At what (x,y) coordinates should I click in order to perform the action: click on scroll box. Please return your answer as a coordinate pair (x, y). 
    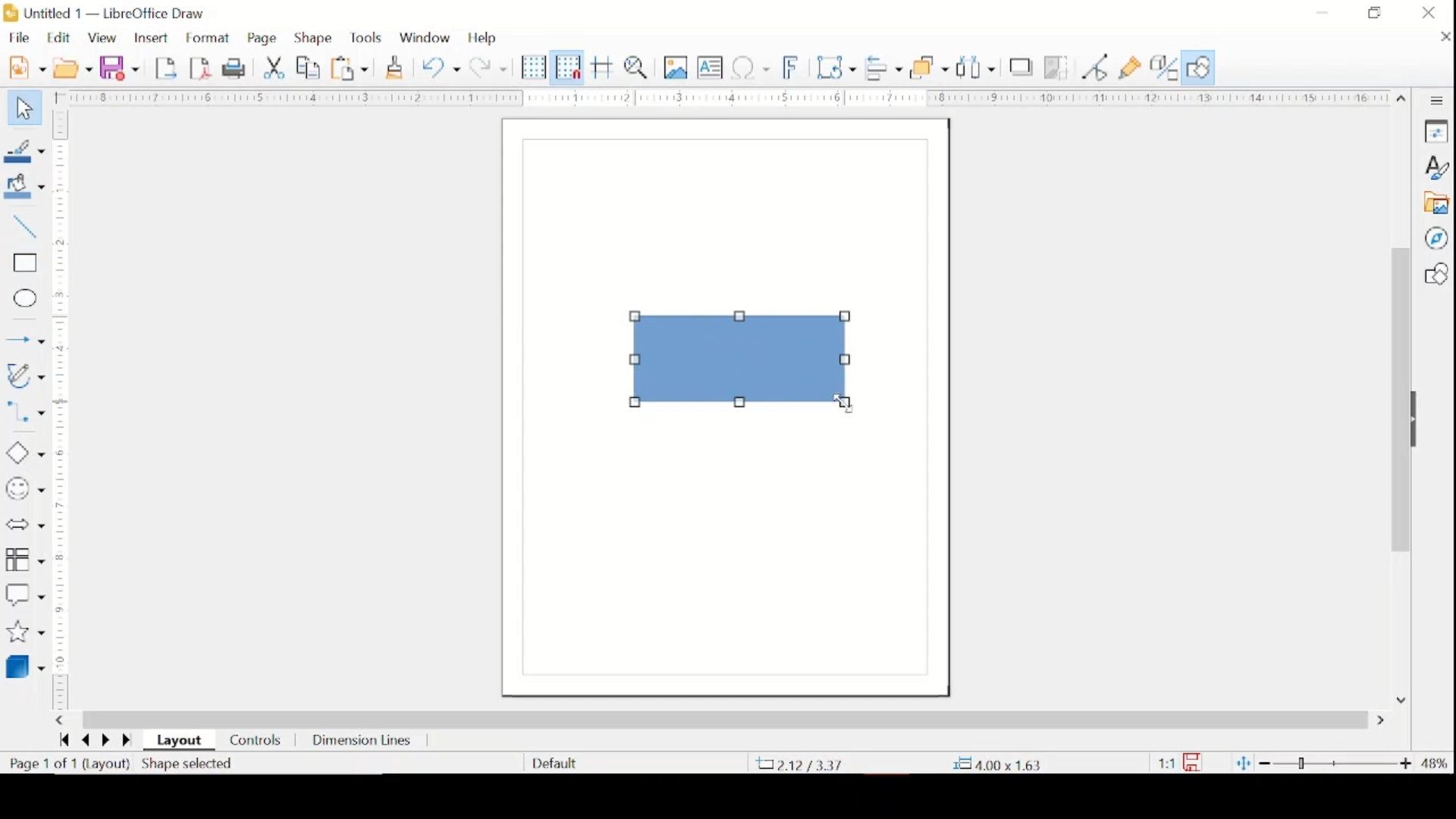
    Looking at the image, I should click on (1399, 403).